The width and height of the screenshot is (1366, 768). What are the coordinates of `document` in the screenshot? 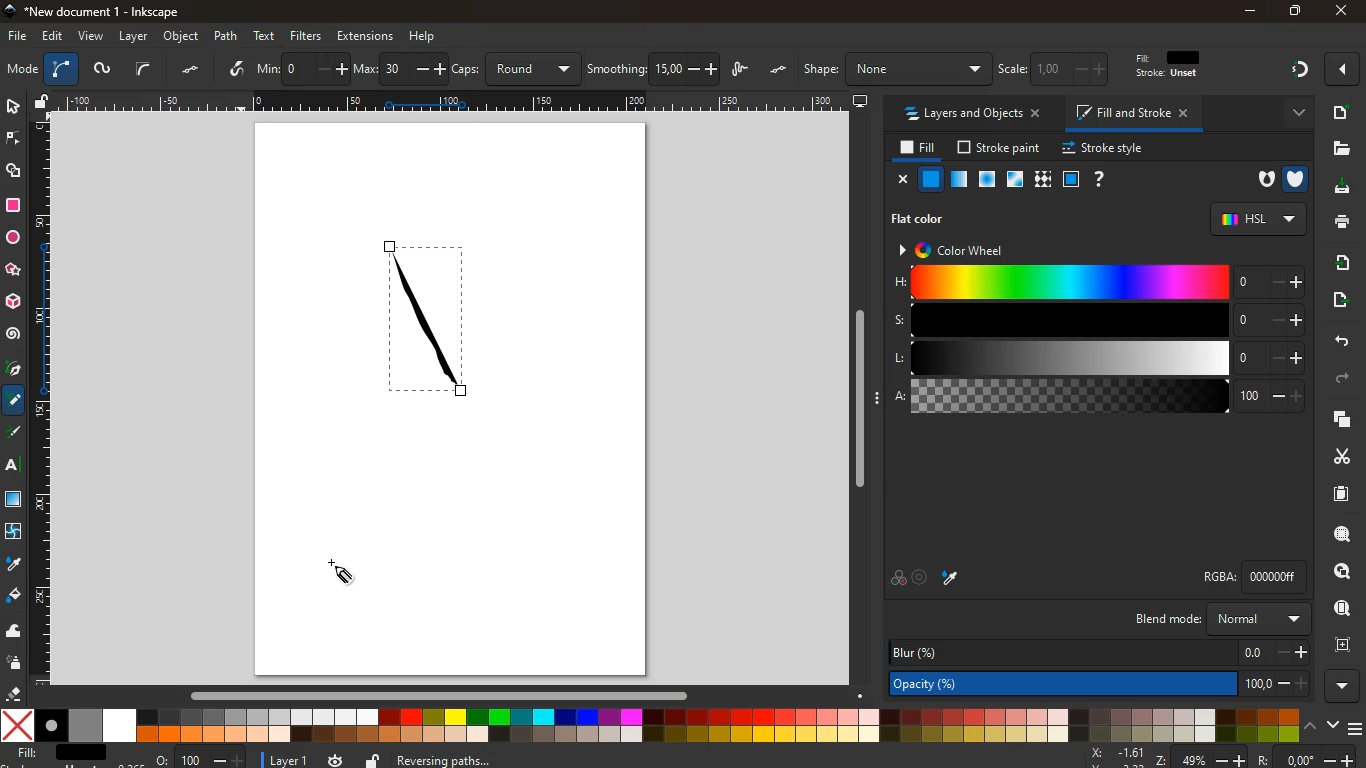 It's located at (1339, 112).